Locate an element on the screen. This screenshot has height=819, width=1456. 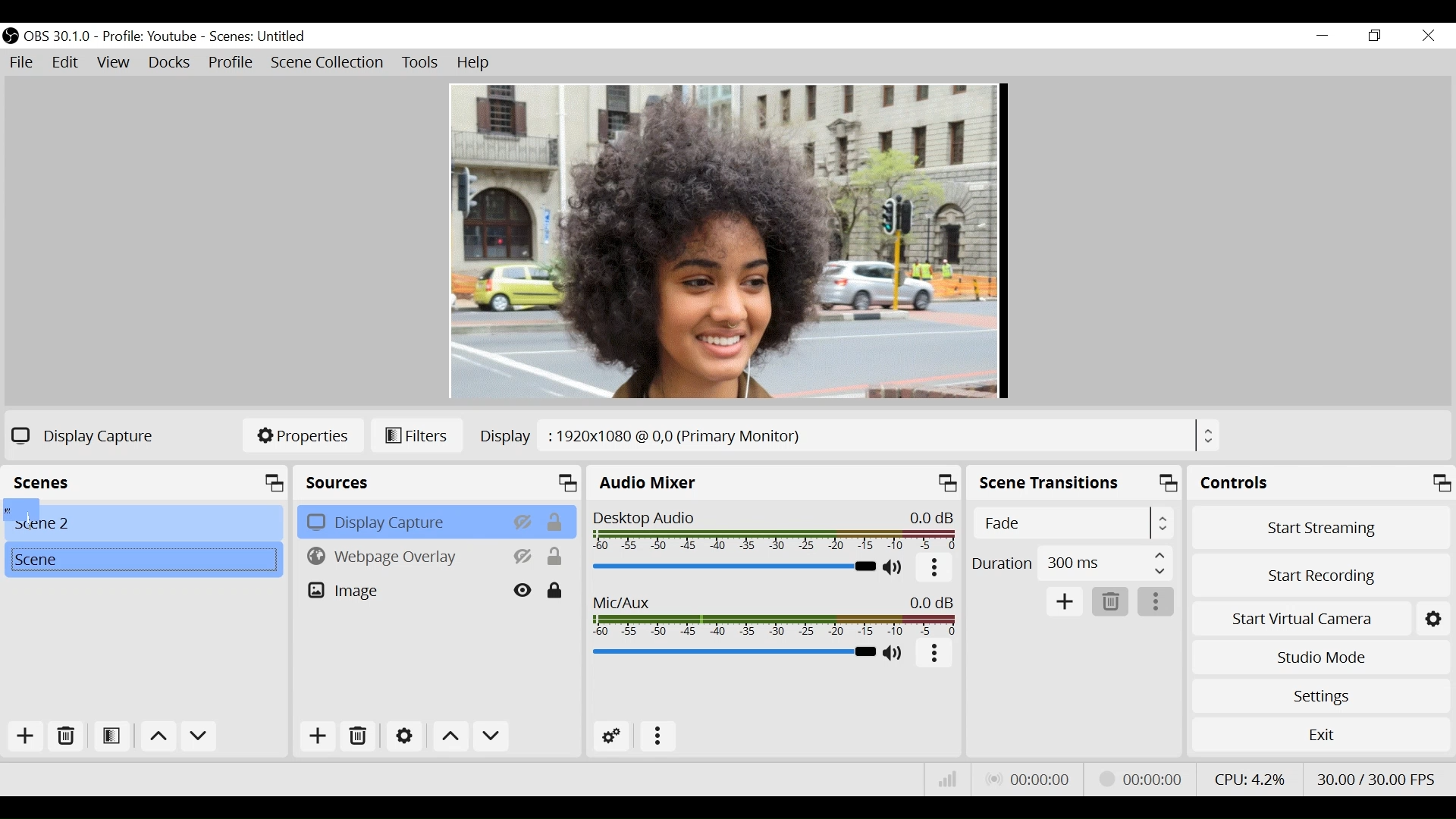
Mic/Aux is located at coordinates (773, 613).